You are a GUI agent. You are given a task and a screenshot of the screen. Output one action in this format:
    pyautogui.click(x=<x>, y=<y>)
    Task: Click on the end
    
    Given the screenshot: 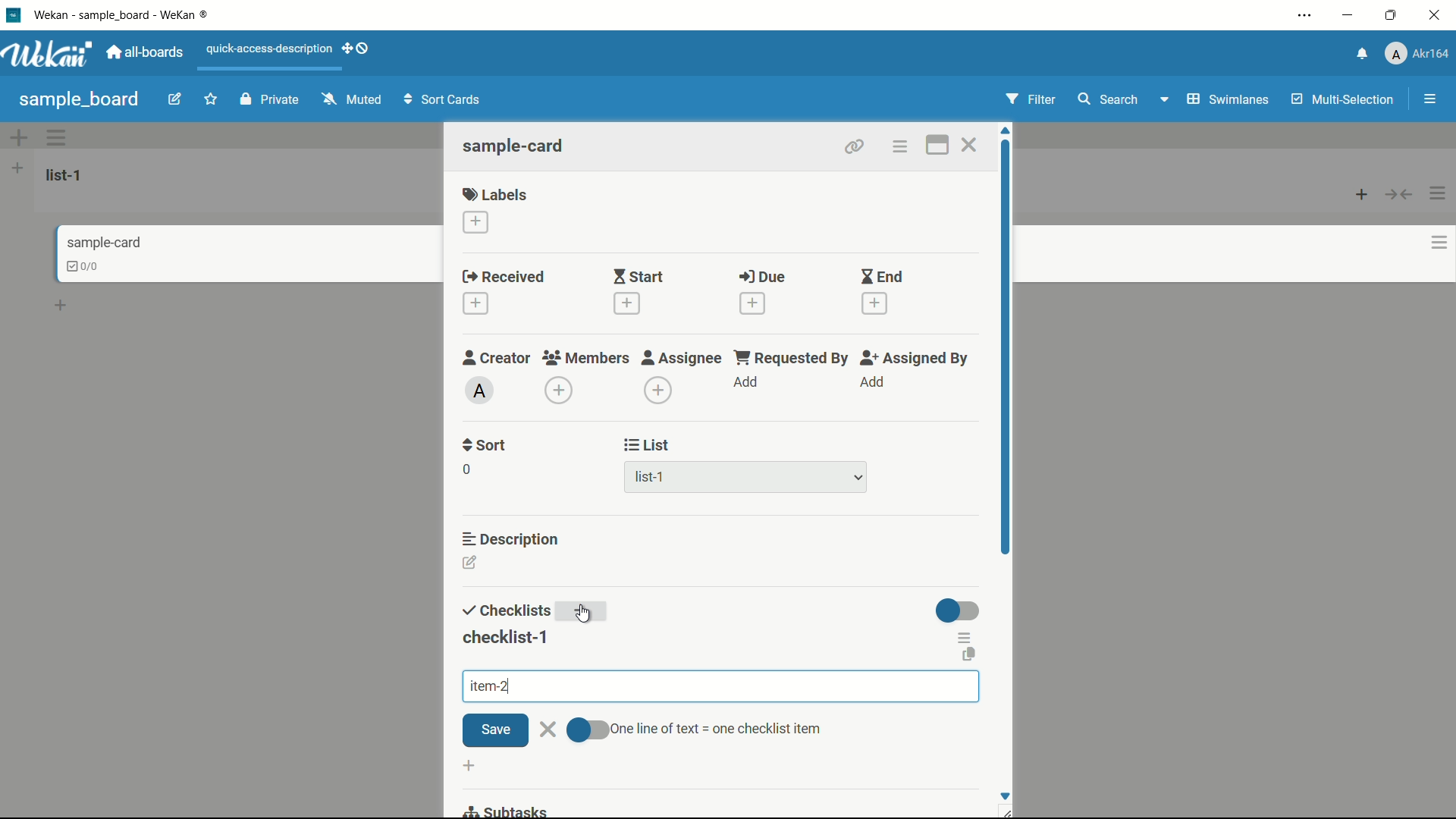 What is the action you would take?
    pyautogui.click(x=881, y=278)
    